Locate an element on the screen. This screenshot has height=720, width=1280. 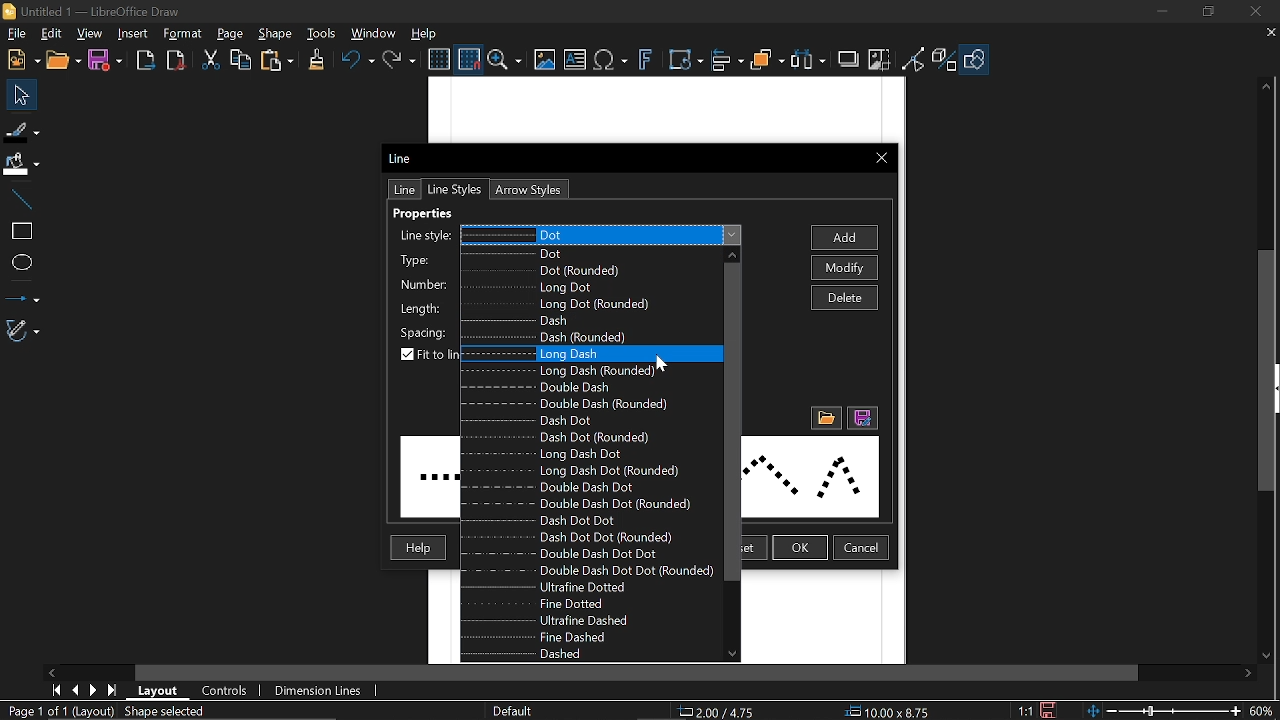
Insert image is located at coordinates (543, 61).